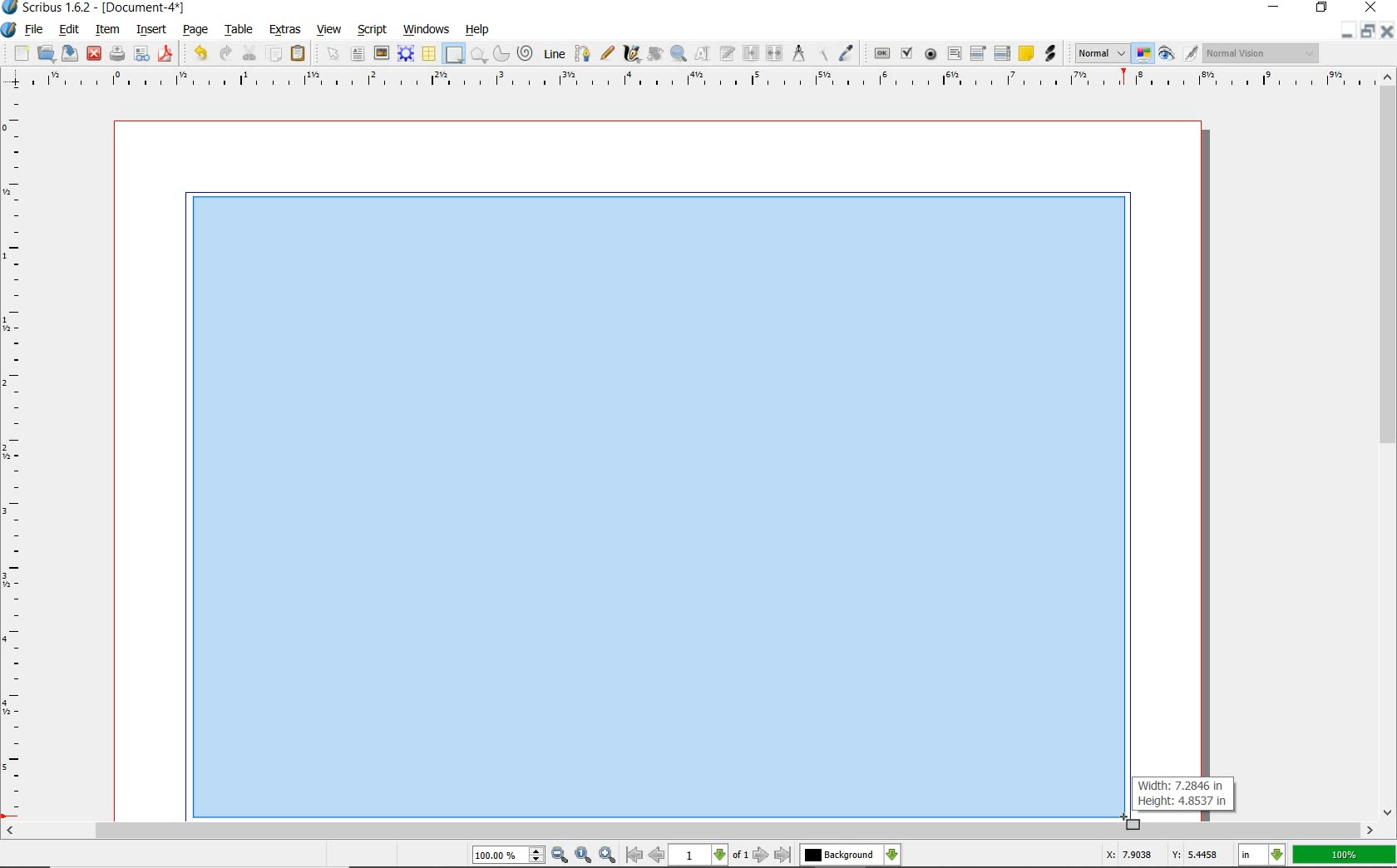 Image resolution: width=1397 pixels, height=868 pixels. I want to click on render frame, so click(407, 55).